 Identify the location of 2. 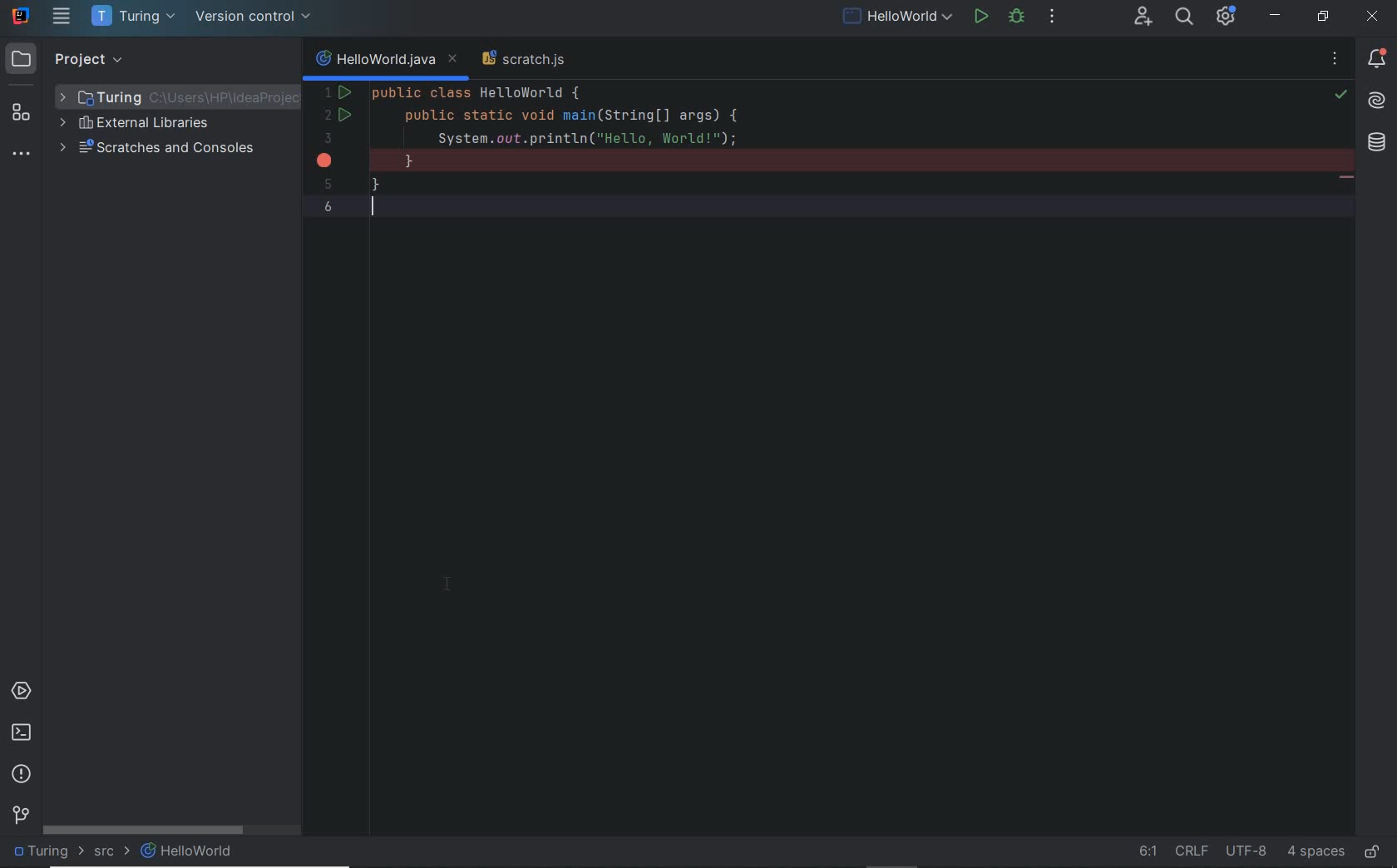
(328, 115).